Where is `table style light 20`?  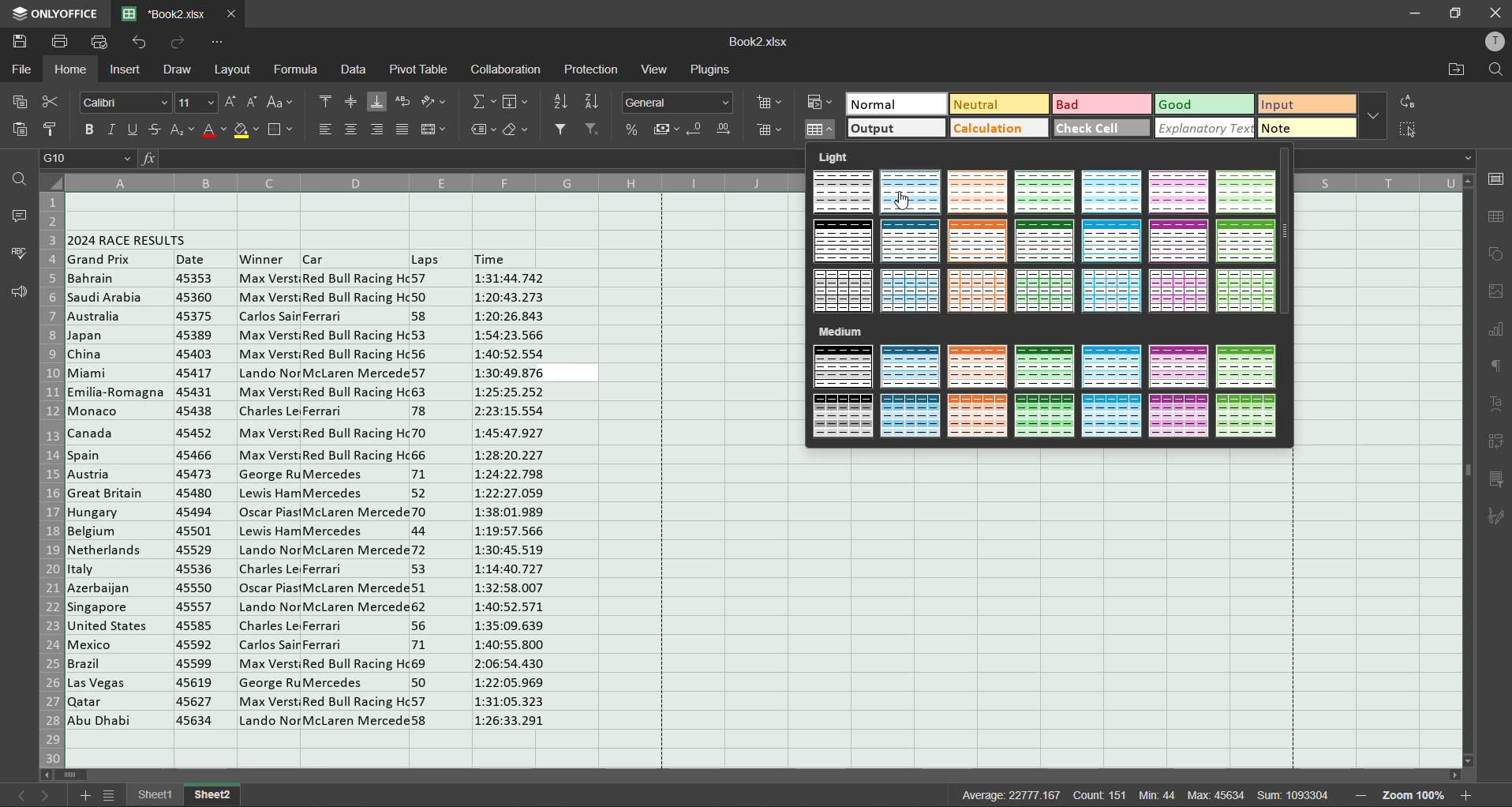 table style light 20 is located at coordinates (1181, 291).